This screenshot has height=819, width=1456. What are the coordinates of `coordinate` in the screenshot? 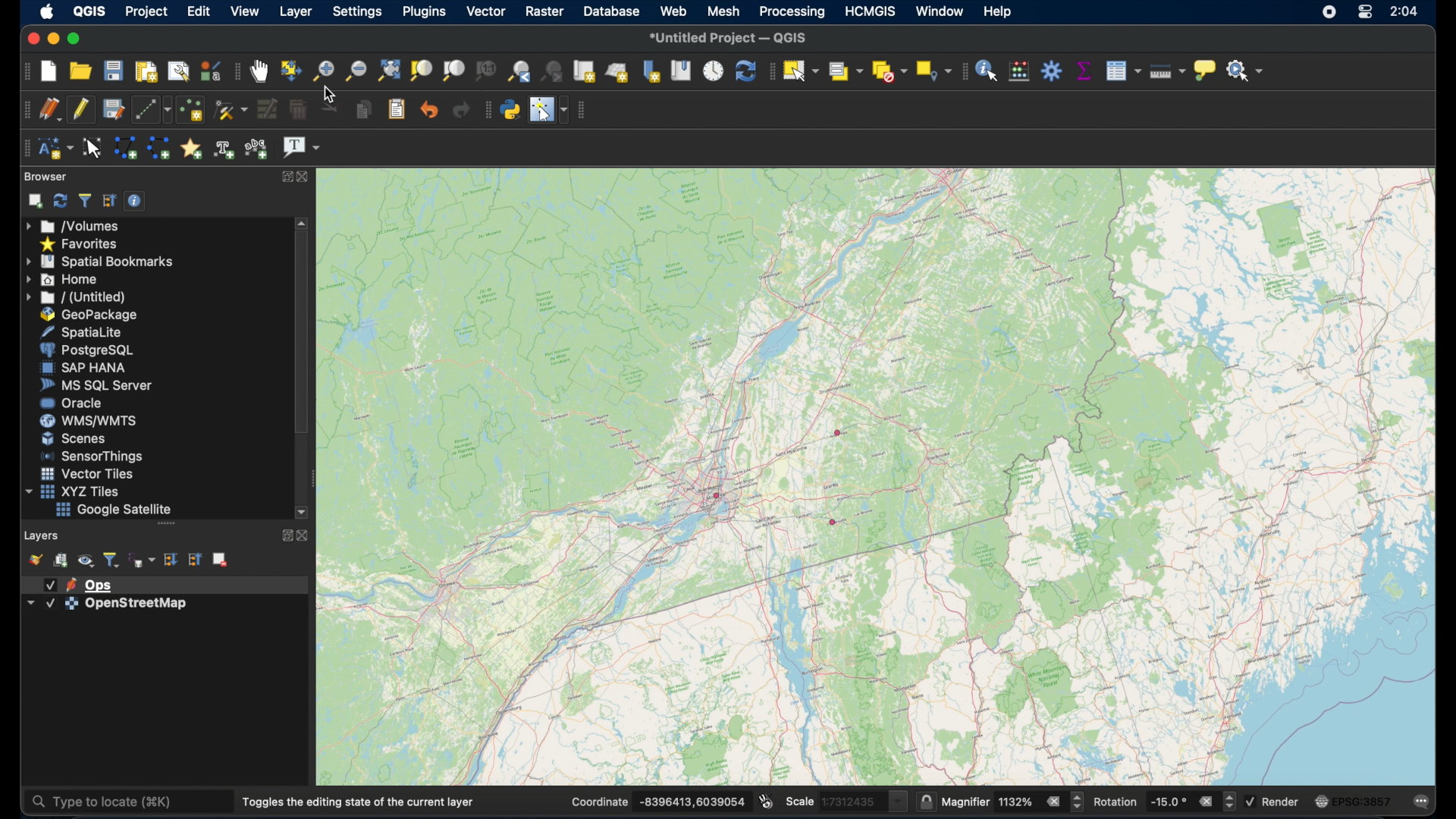 It's located at (659, 802).